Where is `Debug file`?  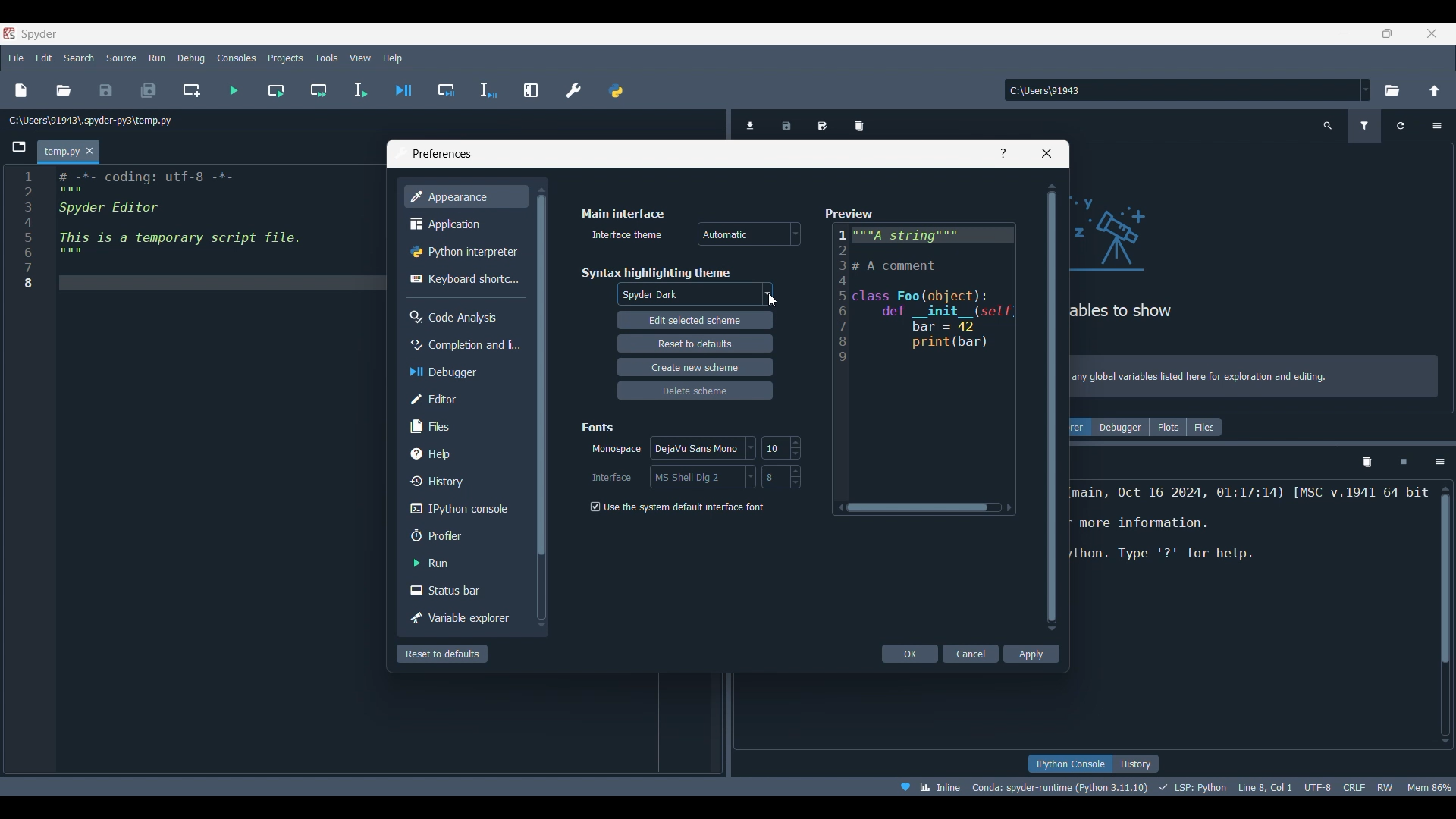
Debug file is located at coordinates (404, 90).